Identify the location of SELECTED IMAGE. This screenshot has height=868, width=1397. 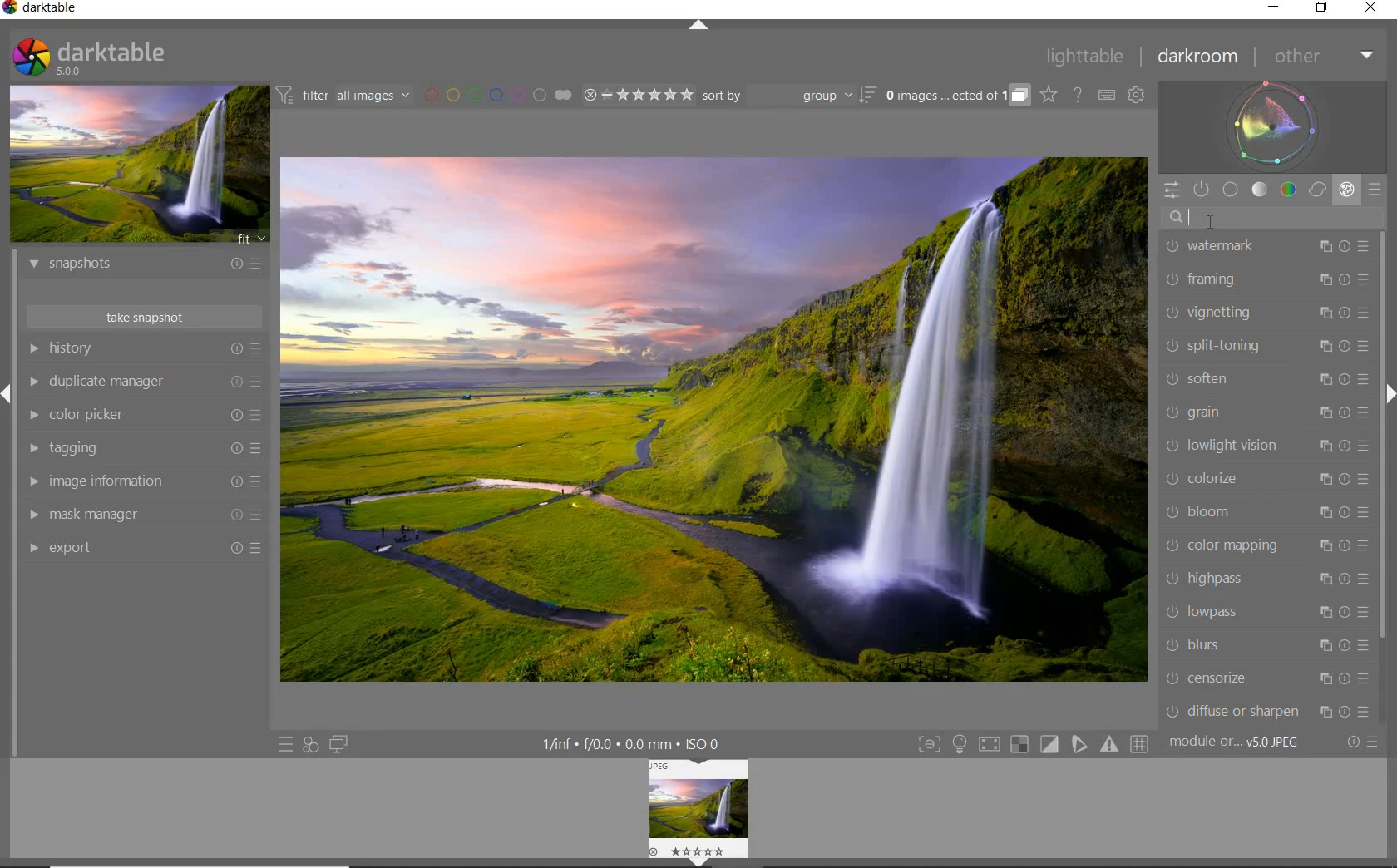
(715, 417).